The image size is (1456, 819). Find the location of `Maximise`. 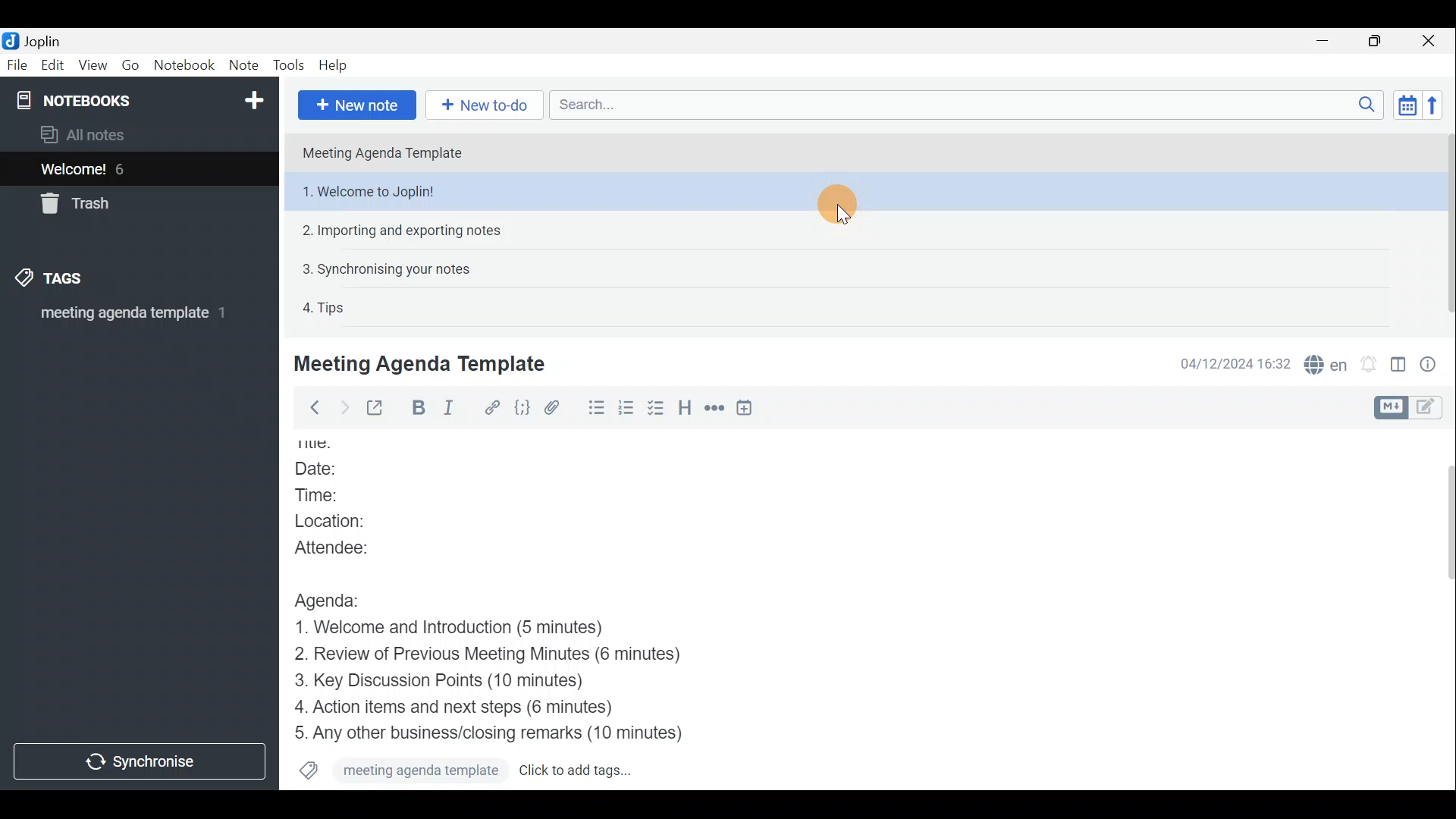

Maximise is located at coordinates (1376, 42).